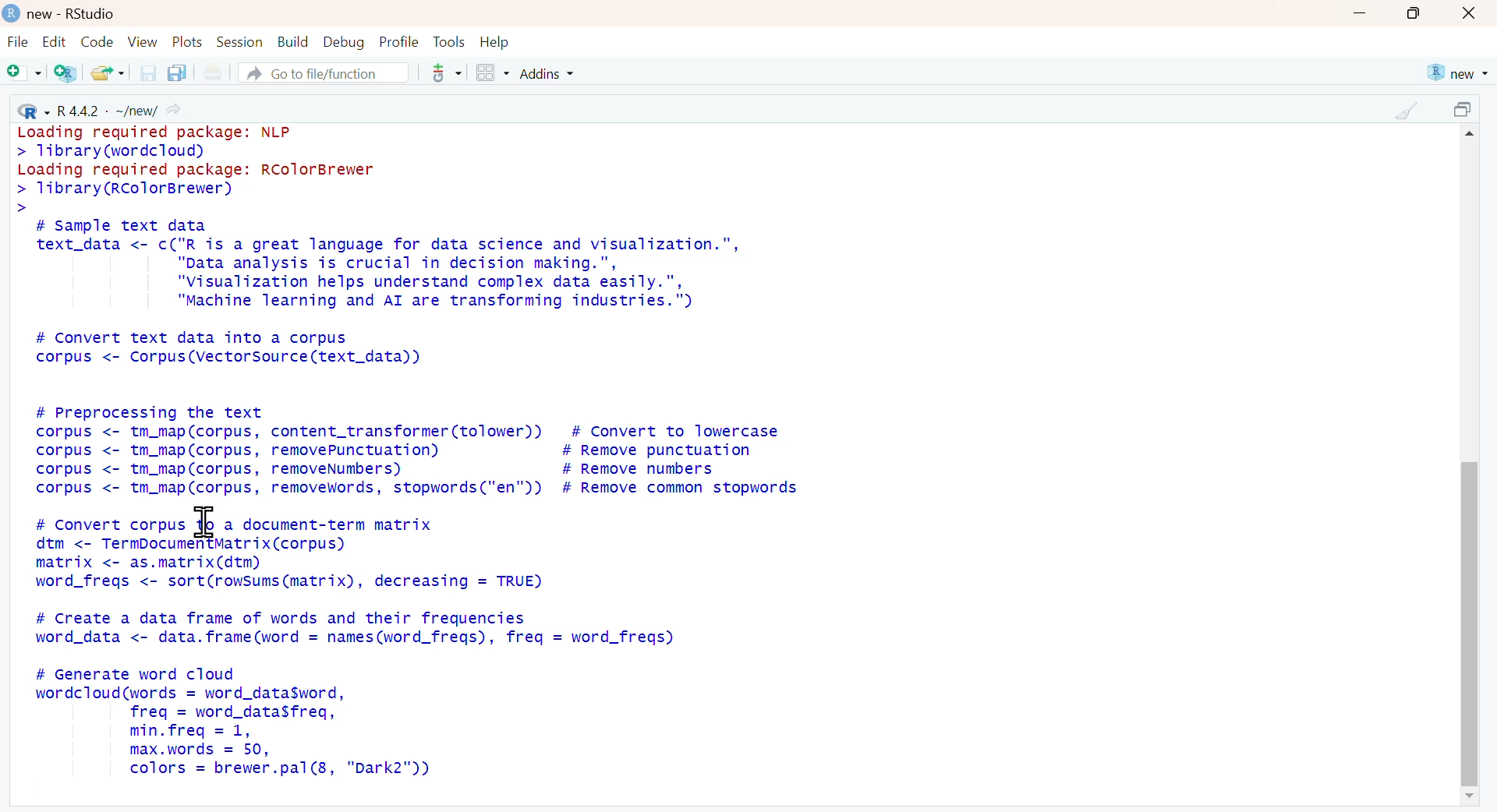 The height and width of the screenshot is (812, 1497). Describe the element at coordinates (23, 73) in the screenshot. I see `New file` at that location.